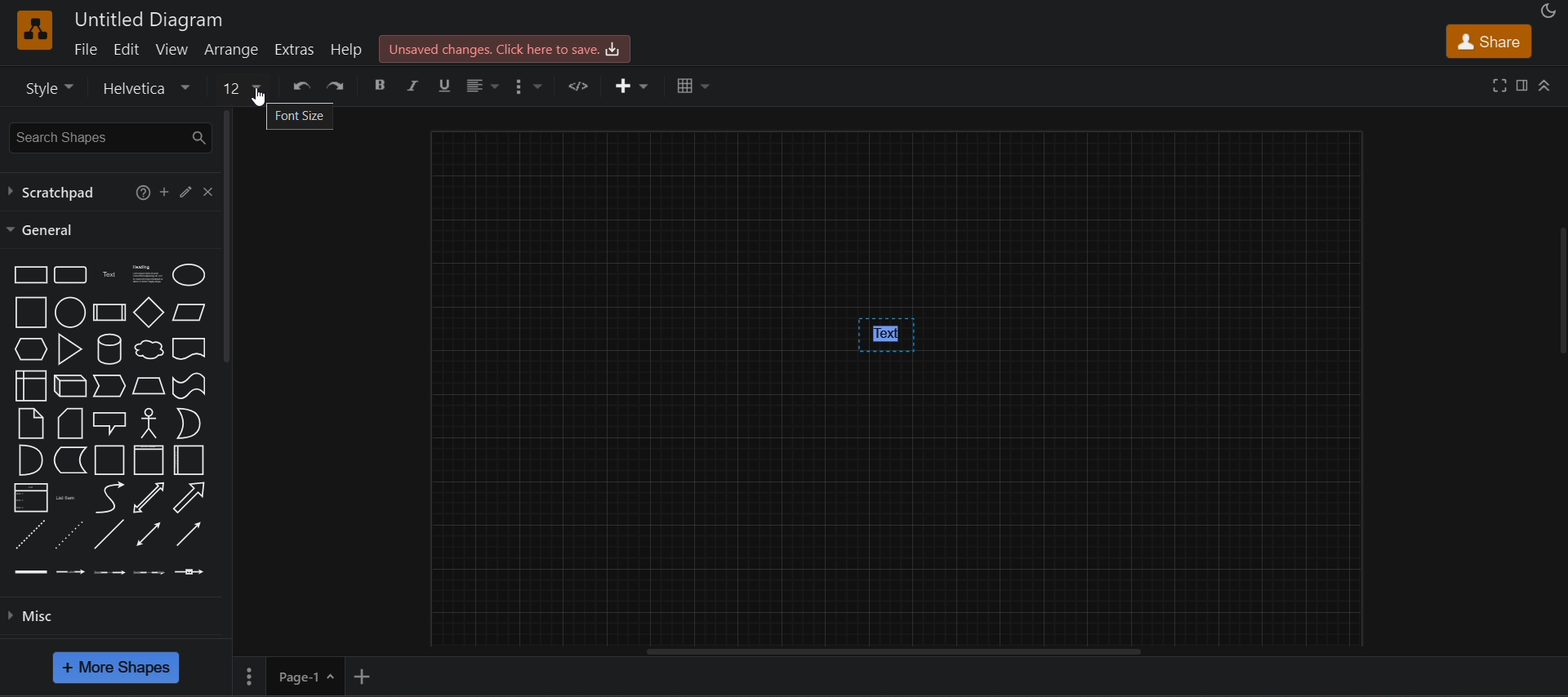  What do you see at coordinates (233, 49) in the screenshot?
I see `arrange` at bounding box center [233, 49].